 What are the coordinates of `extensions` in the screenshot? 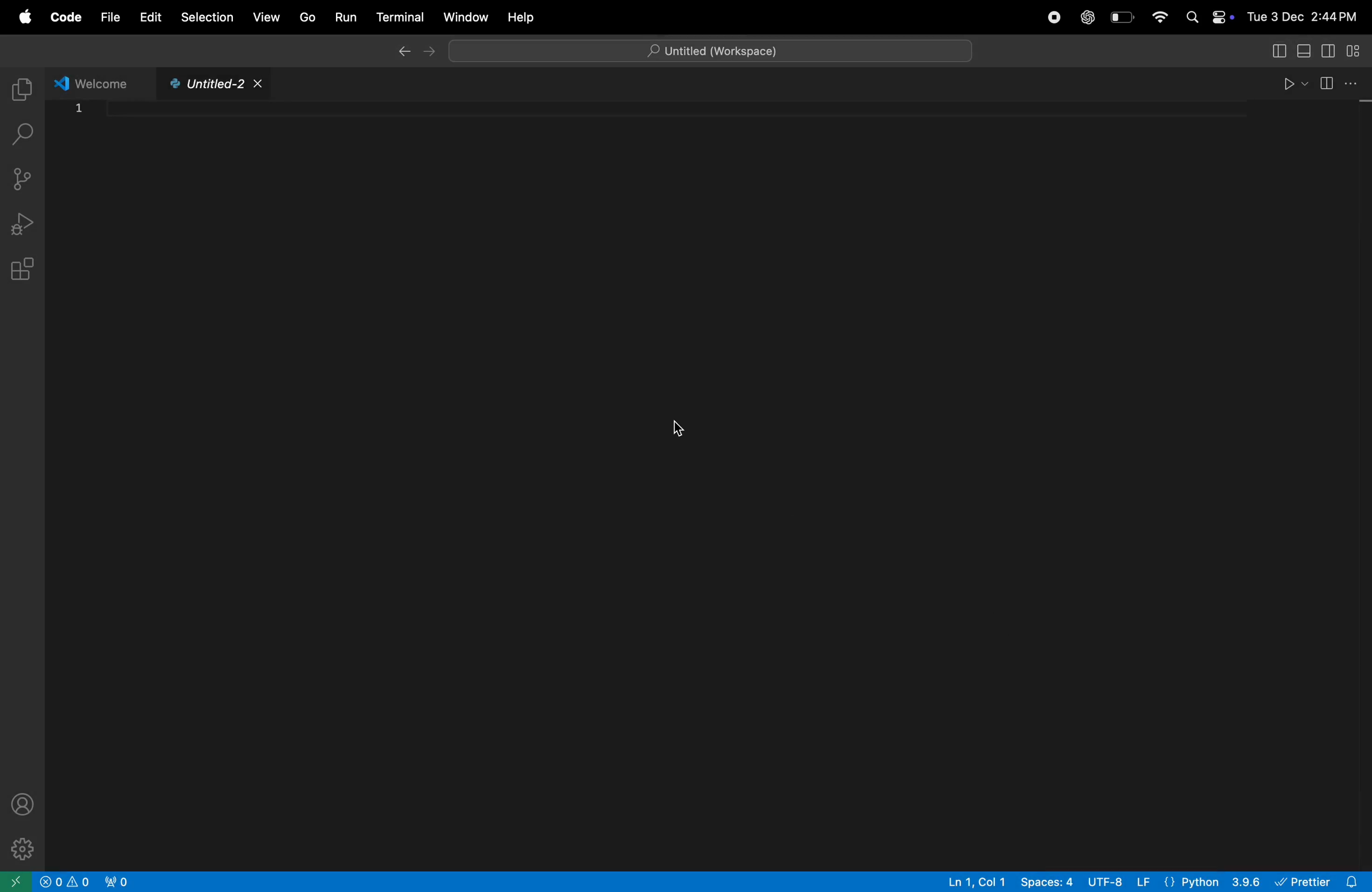 It's located at (25, 271).